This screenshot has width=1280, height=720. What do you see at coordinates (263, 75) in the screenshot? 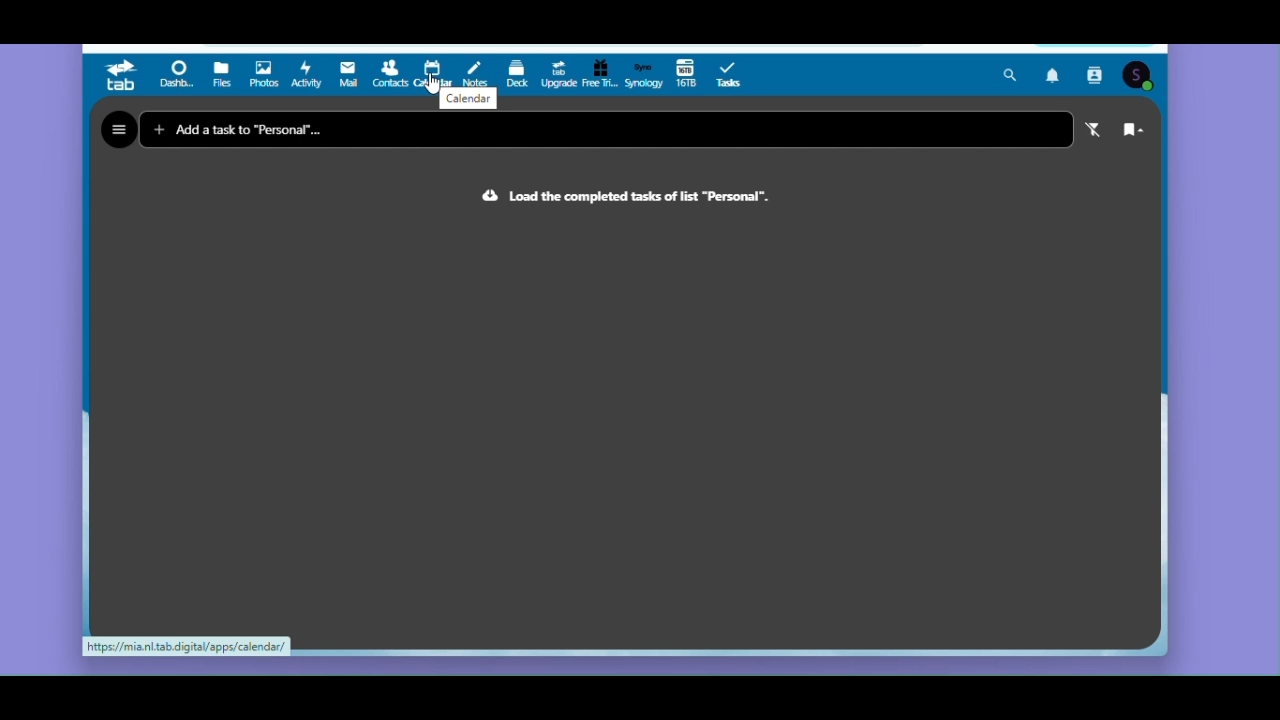
I see `Photos` at bounding box center [263, 75].